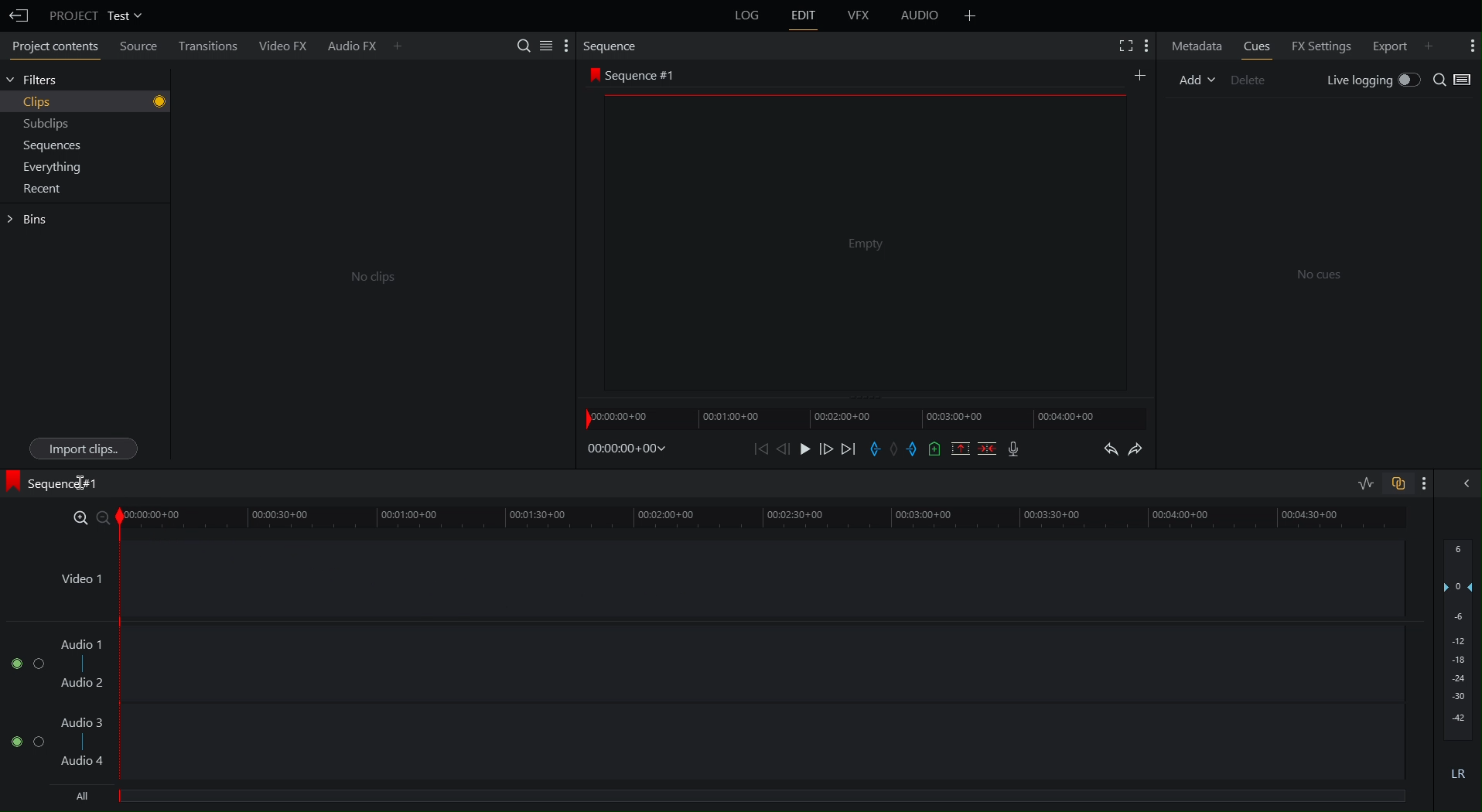 The height and width of the screenshot is (812, 1482). I want to click on Import Clips, so click(83, 449).